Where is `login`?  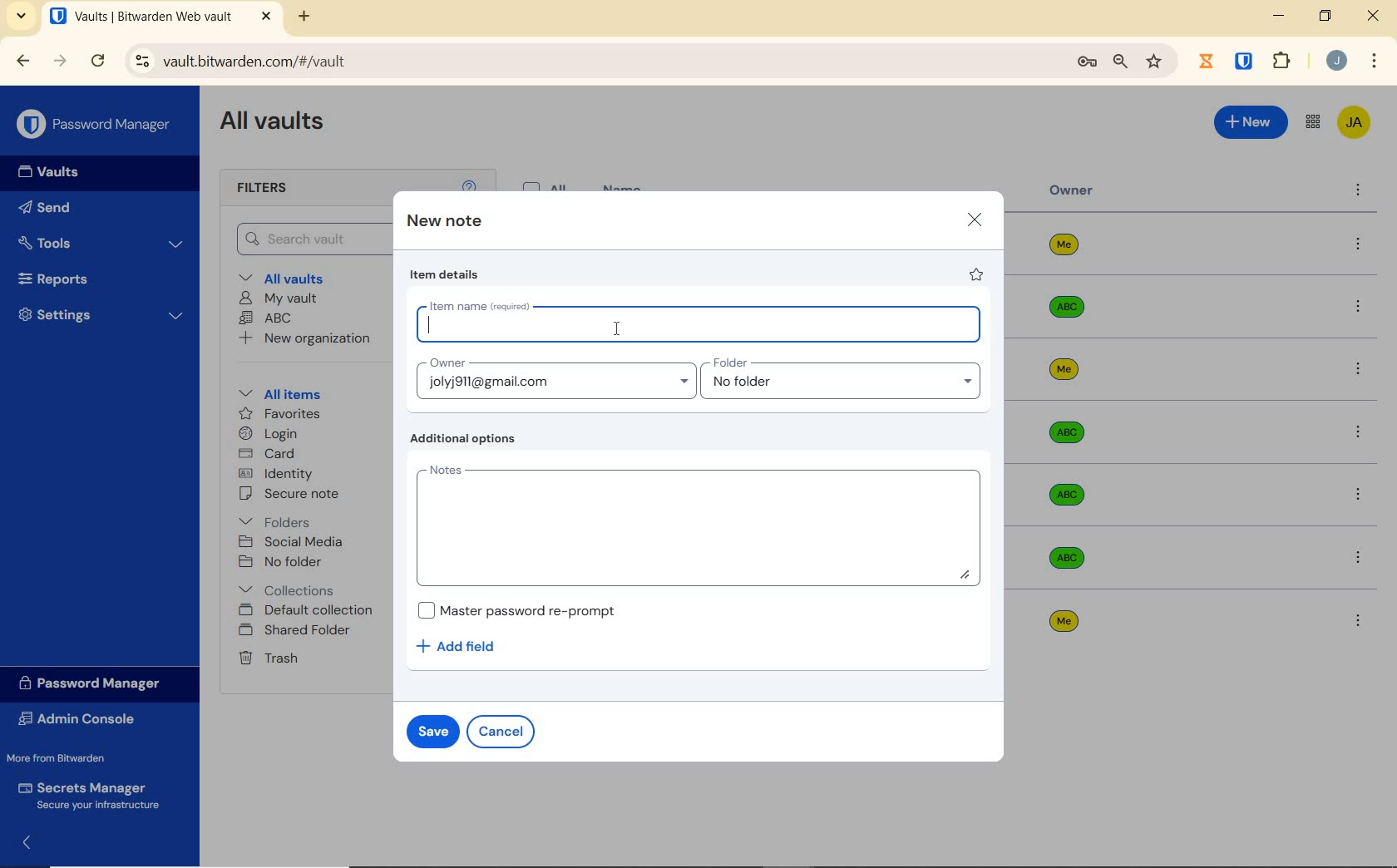
login is located at coordinates (272, 435).